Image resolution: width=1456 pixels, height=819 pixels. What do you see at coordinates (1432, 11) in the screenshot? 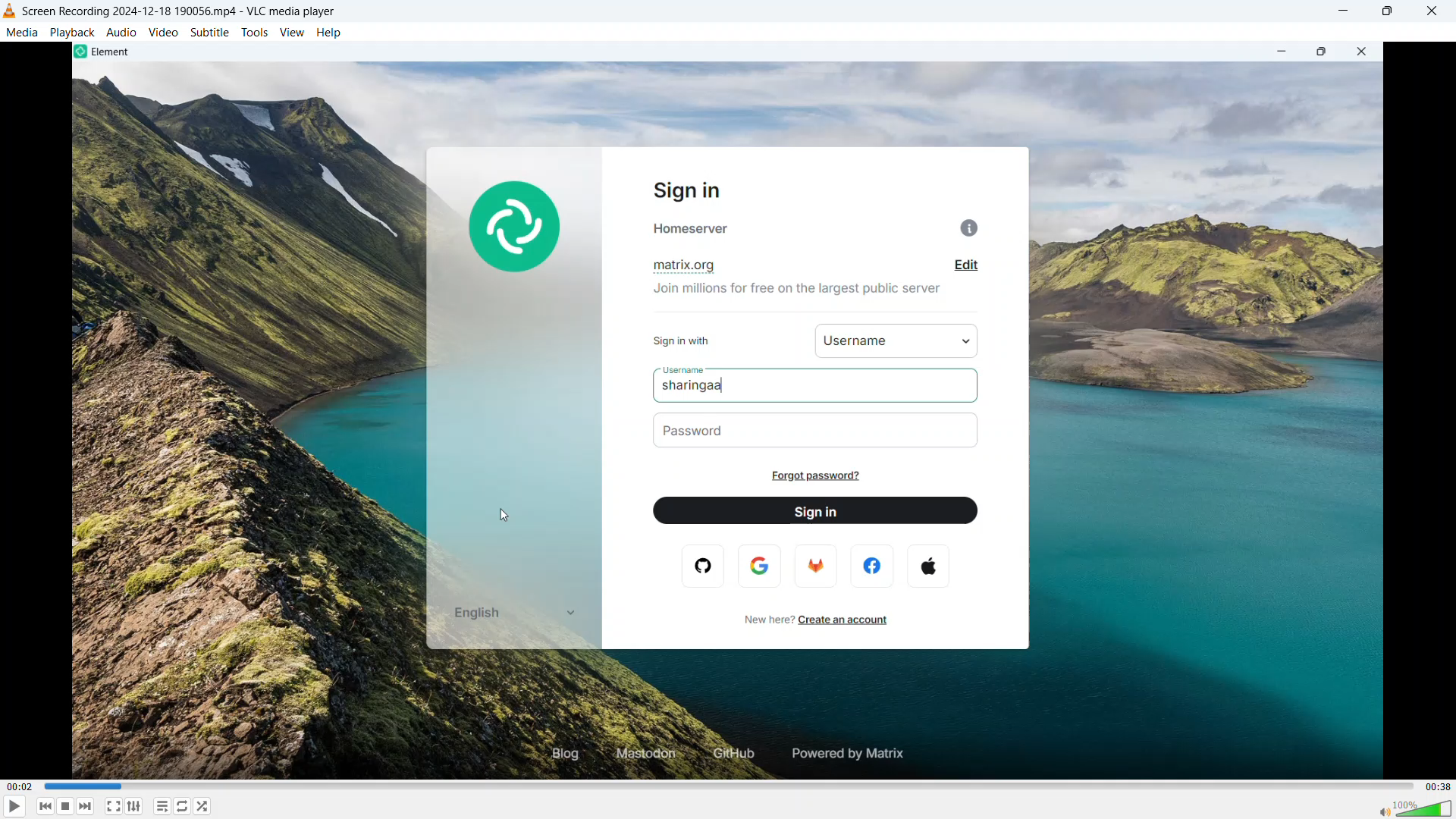
I see `Close ` at bounding box center [1432, 11].